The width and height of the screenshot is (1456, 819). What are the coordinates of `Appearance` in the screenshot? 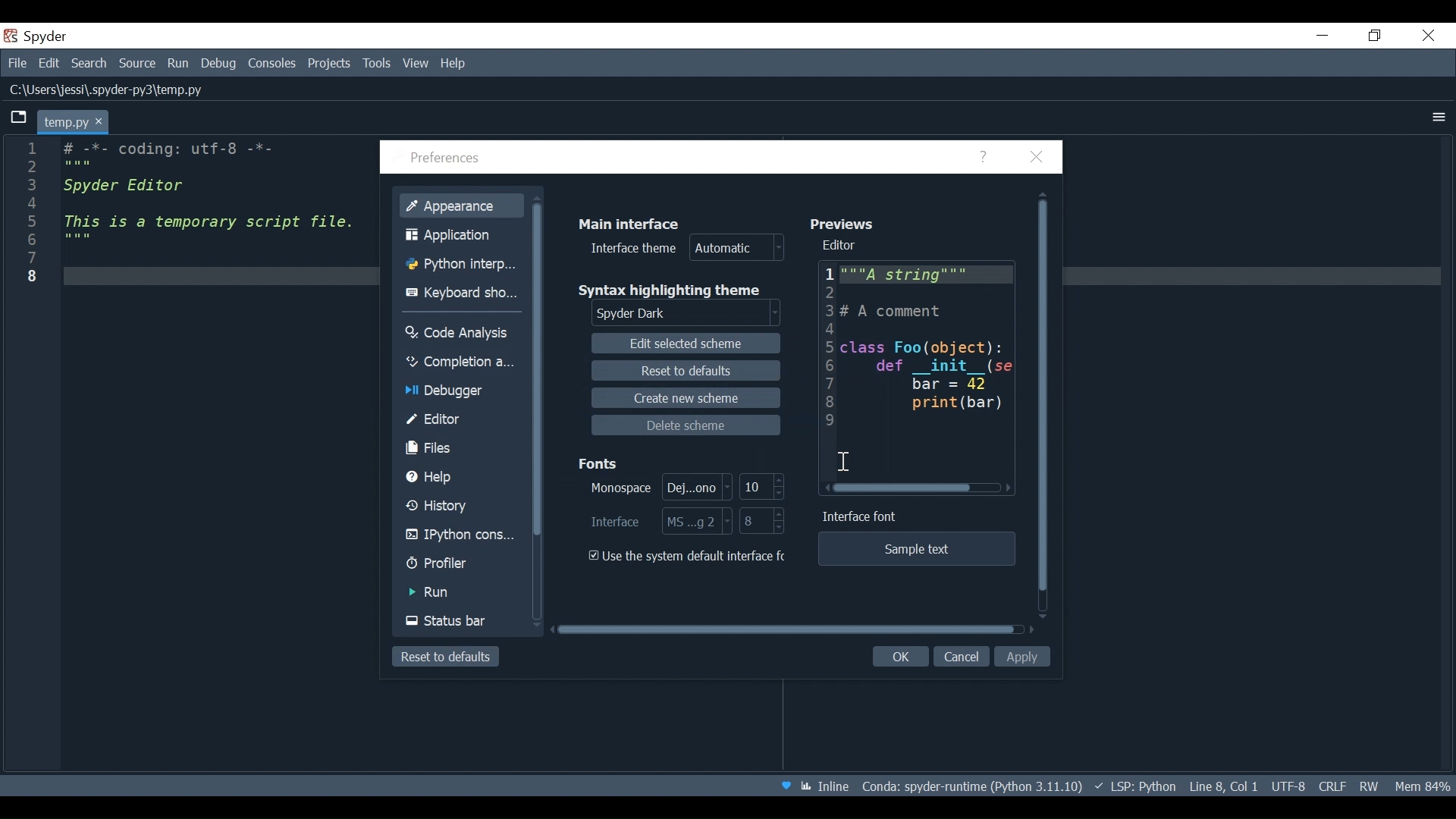 It's located at (463, 204).